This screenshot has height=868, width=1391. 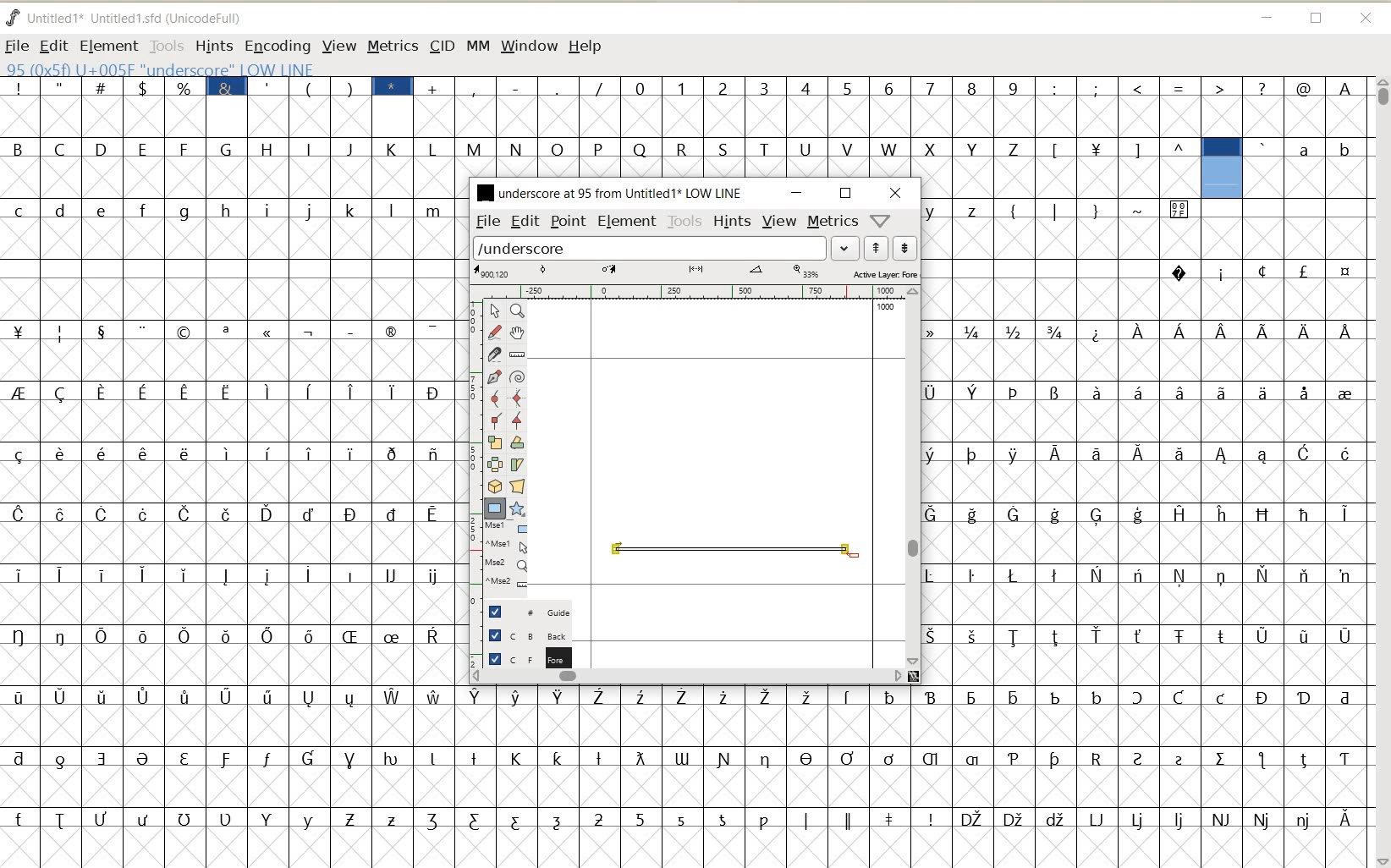 What do you see at coordinates (525, 610) in the screenshot?
I see `GUIDE` at bounding box center [525, 610].